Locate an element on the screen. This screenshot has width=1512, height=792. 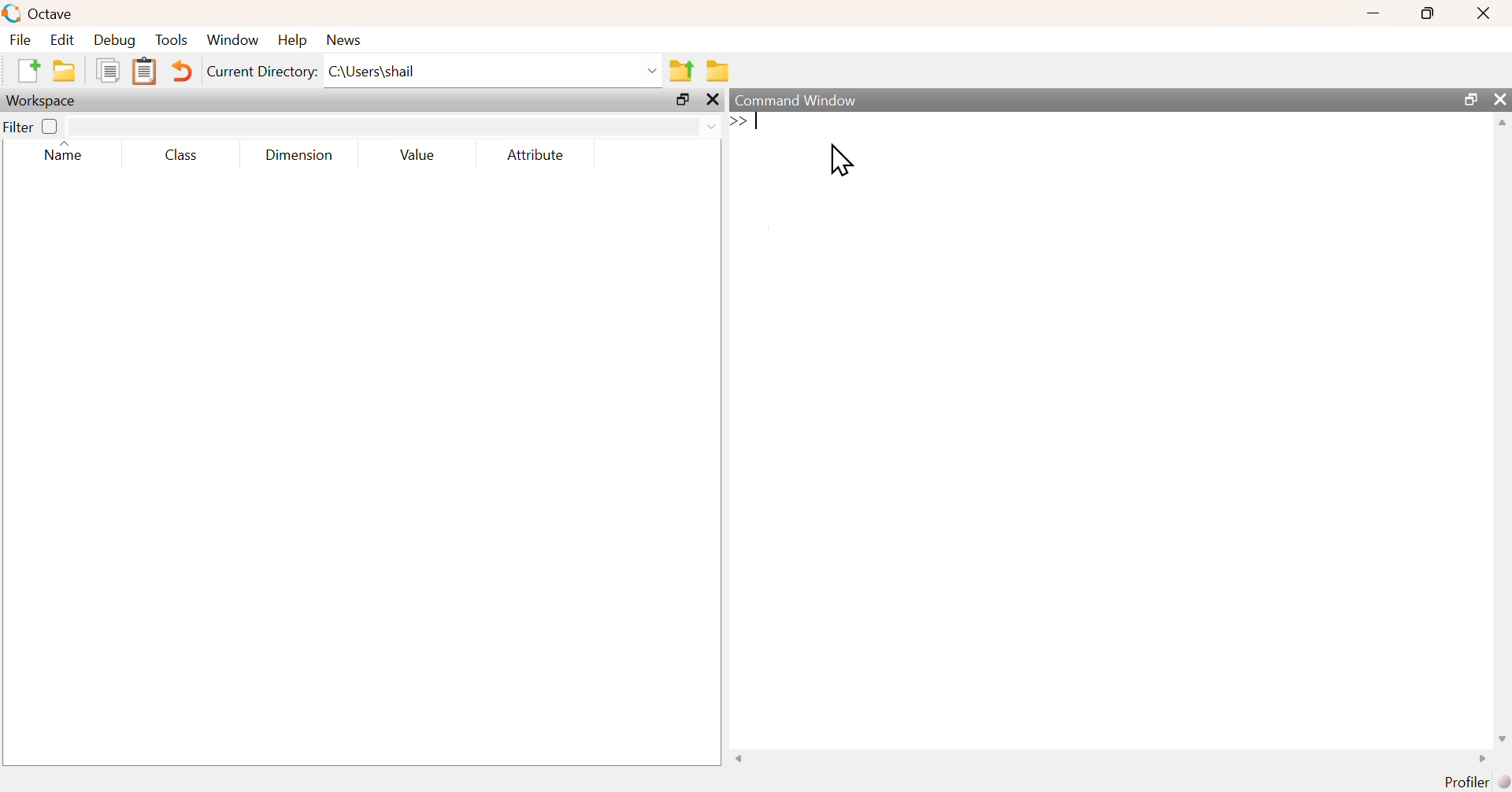
Browse directories is located at coordinates (720, 72).